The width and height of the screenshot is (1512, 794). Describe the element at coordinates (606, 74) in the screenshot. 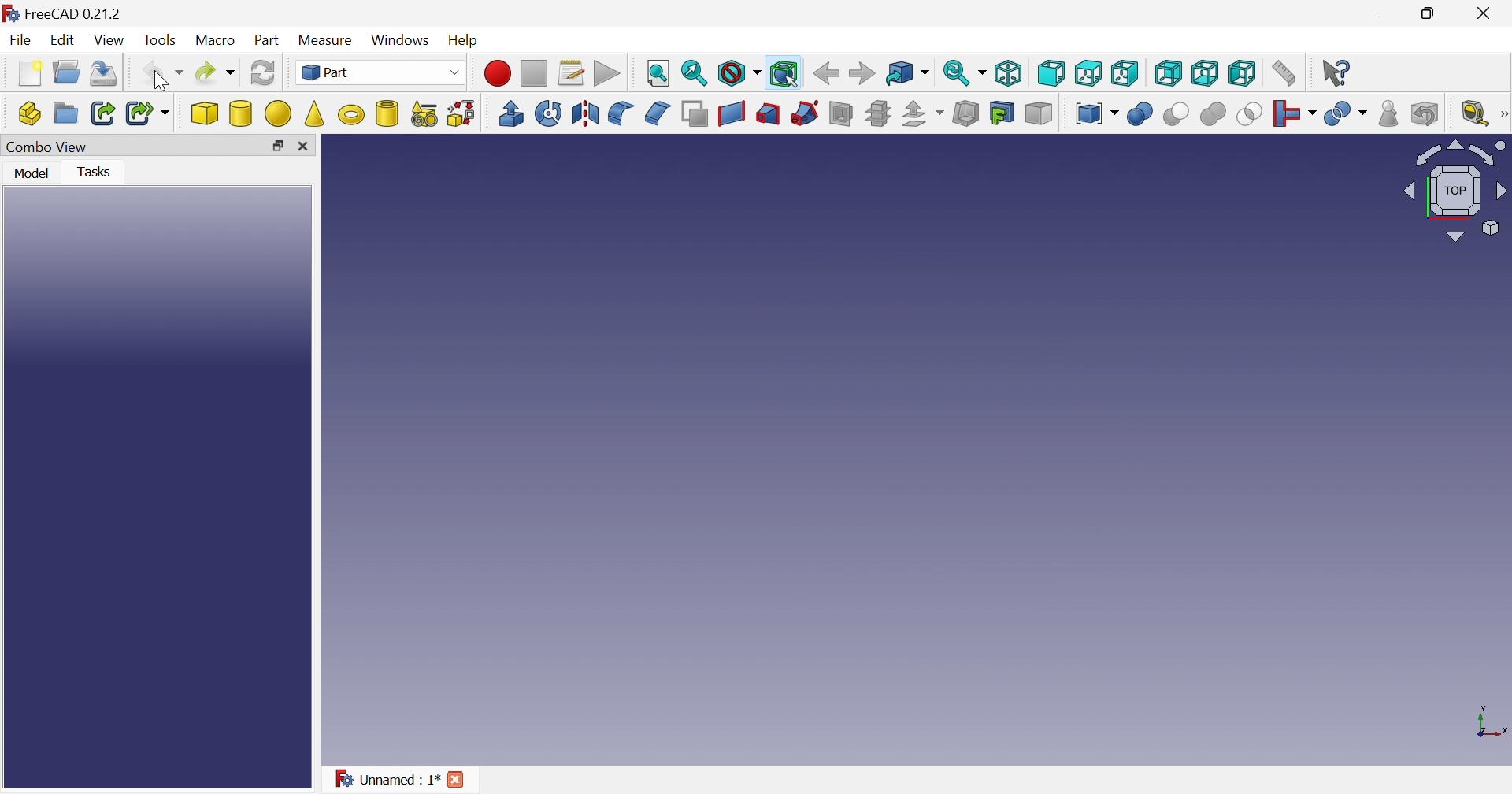

I see `Execute macro` at that location.